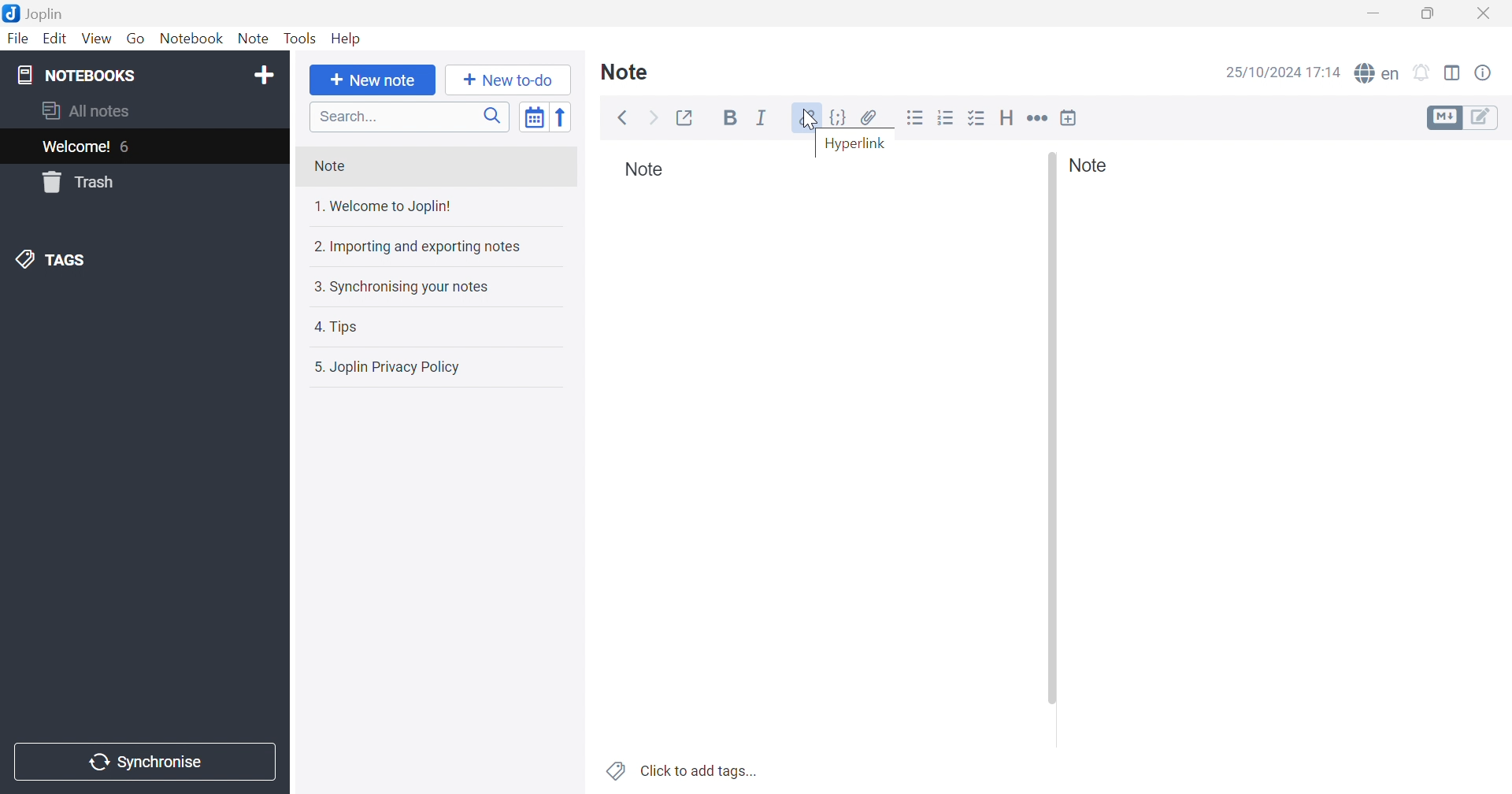 The width and height of the screenshot is (1512, 794). I want to click on All notes, so click(144, 113).